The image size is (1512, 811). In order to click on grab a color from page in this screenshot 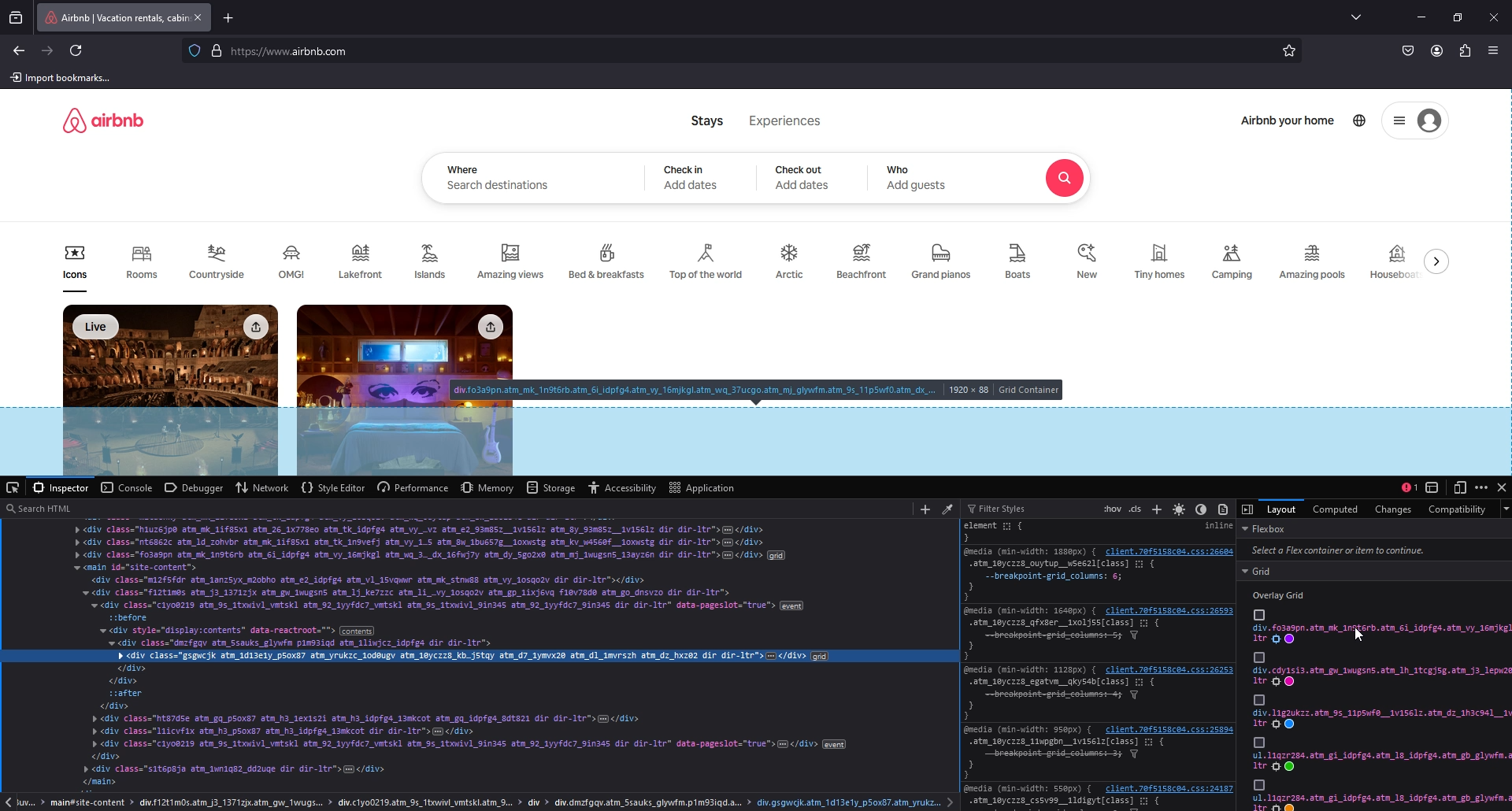, I will do `click(950, 506)`.